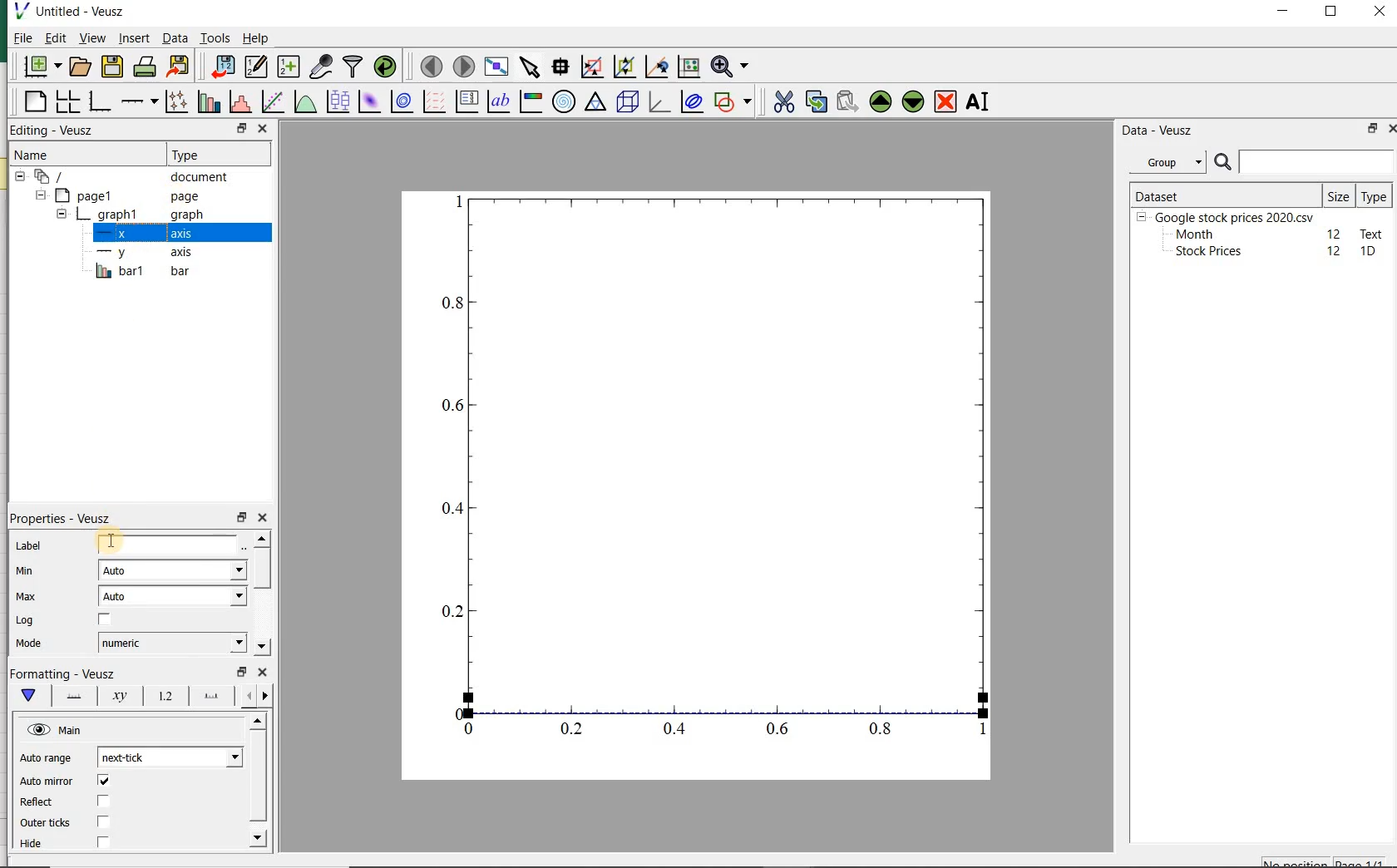 This screenshot has width=1397, height=868. Describe the element at coordinates (207, 153) in the screenshot. I see `Type` at that location.